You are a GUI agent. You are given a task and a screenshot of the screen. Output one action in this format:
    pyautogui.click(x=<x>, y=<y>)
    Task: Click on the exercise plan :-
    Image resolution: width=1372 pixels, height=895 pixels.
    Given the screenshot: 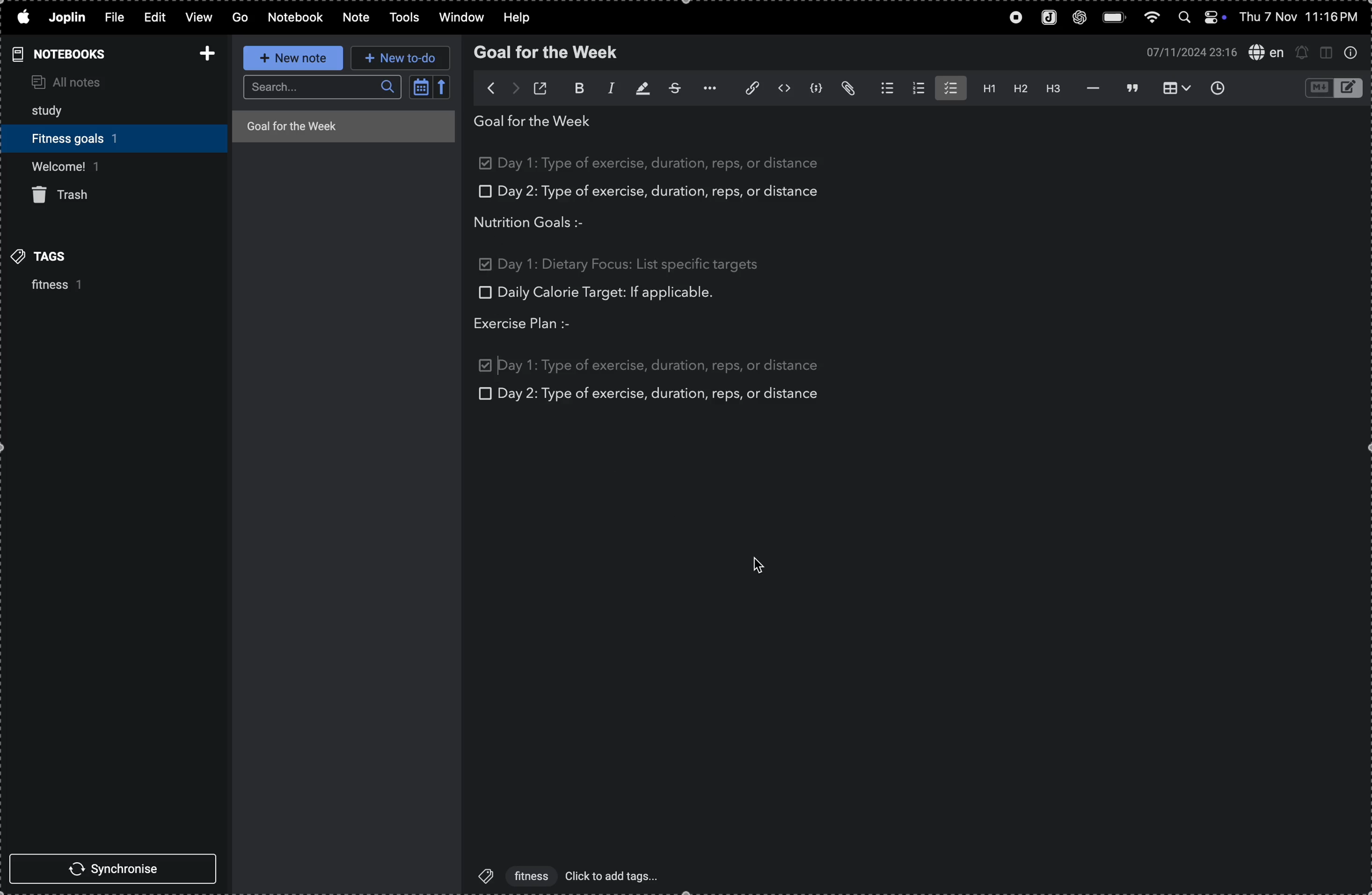 What is the action you would take?
    pyautogui.click(x=534, y=325)
    